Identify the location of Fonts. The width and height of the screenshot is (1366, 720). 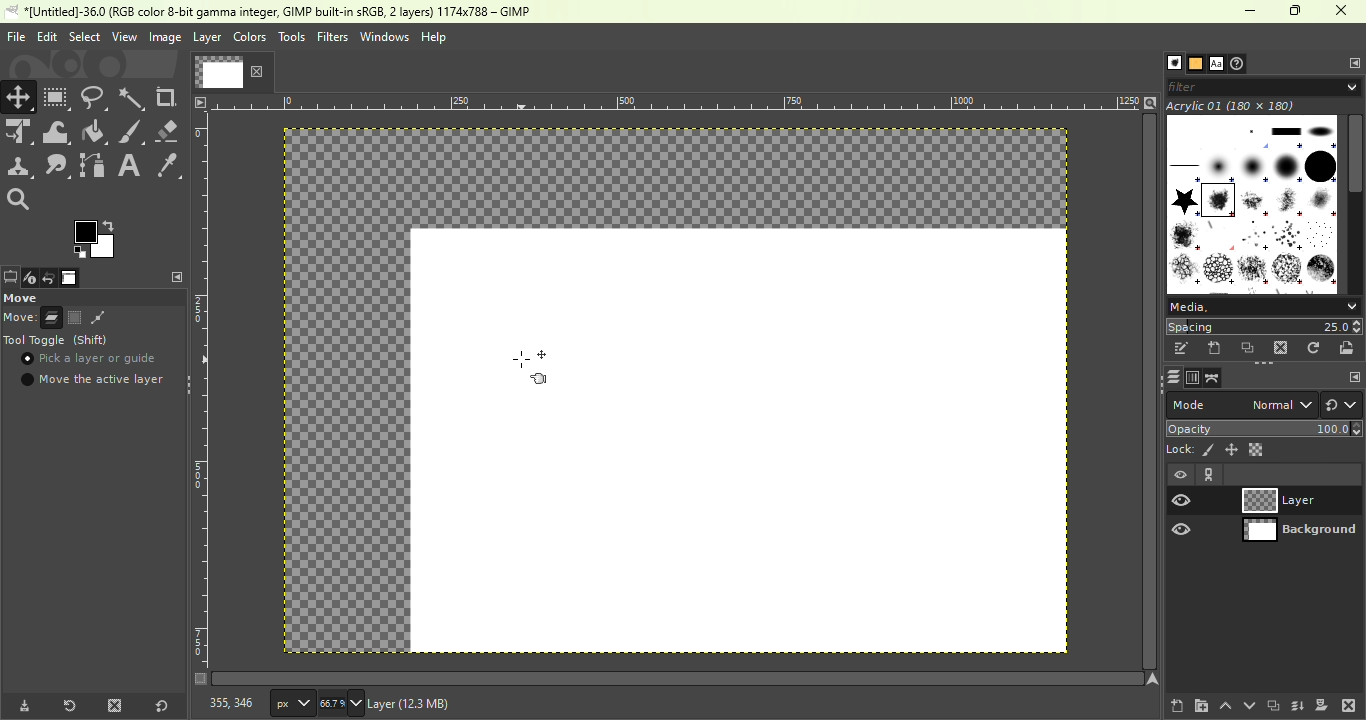
(1216, 61).